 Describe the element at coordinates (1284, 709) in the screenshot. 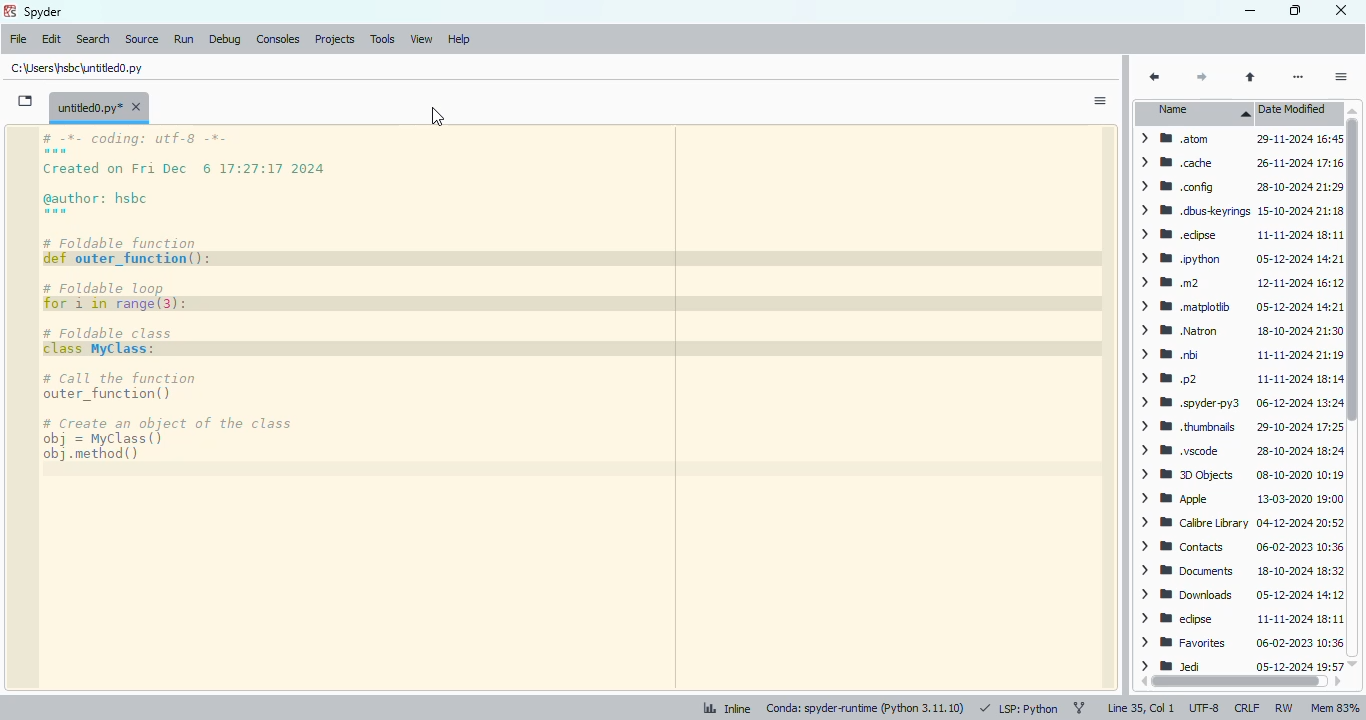

I see `RW` at that location.